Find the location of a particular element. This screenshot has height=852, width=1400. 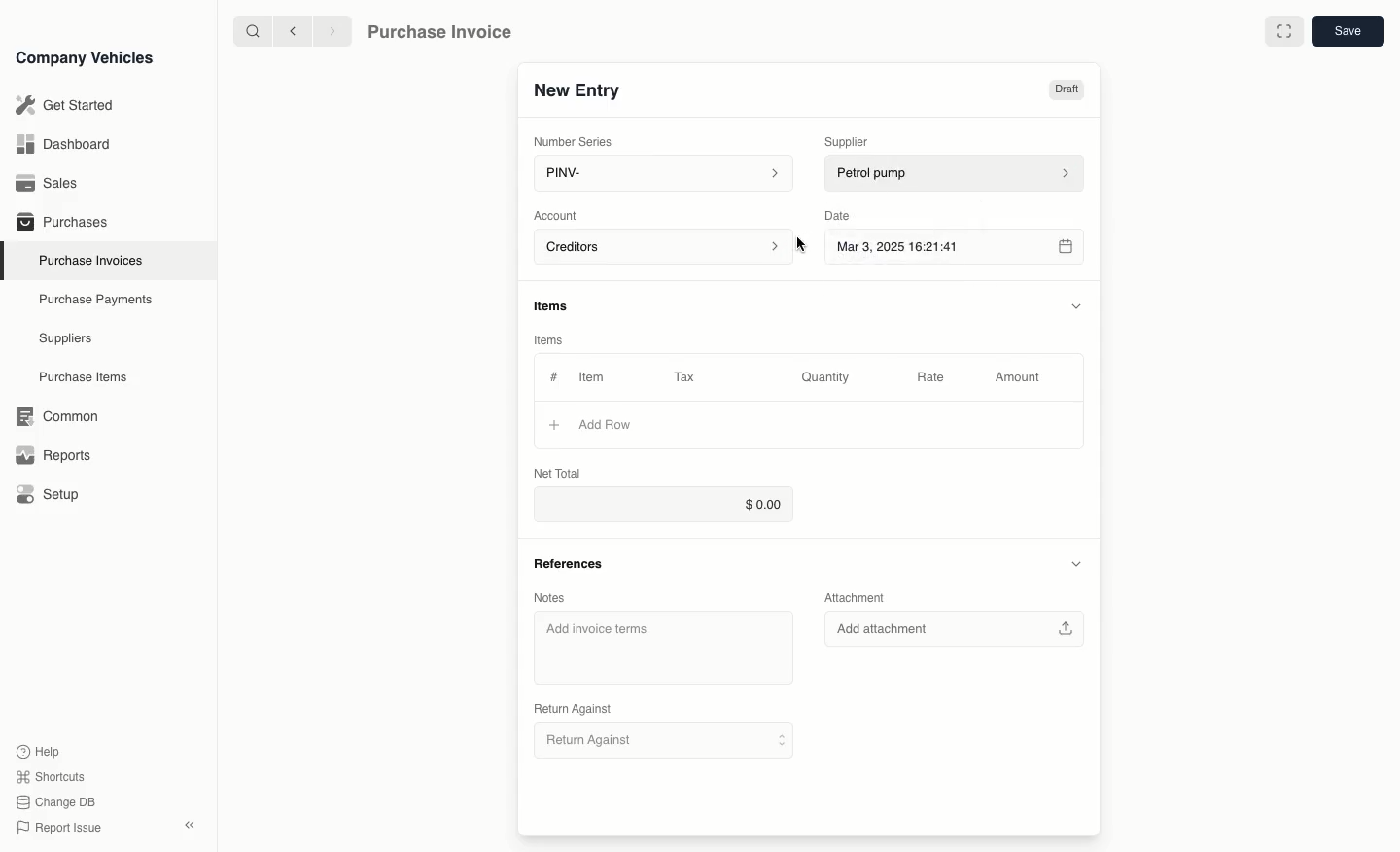

$0.00 is located at coordinates (663, 504).